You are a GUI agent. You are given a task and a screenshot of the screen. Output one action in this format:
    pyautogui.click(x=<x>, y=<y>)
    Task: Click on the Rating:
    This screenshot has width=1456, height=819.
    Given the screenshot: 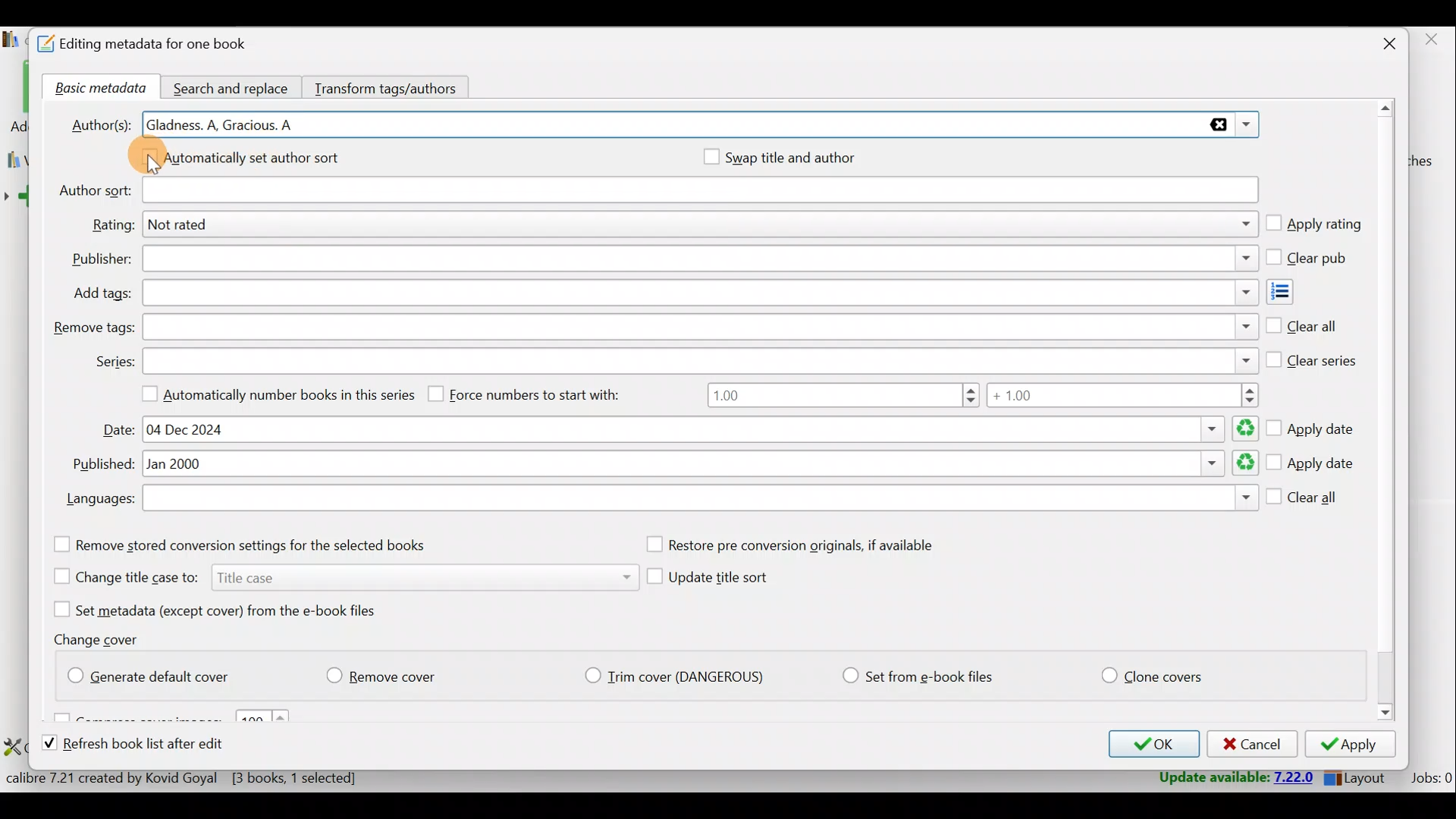 What is the action you would take?
    pyautogui.click(x=112, y=225)
    